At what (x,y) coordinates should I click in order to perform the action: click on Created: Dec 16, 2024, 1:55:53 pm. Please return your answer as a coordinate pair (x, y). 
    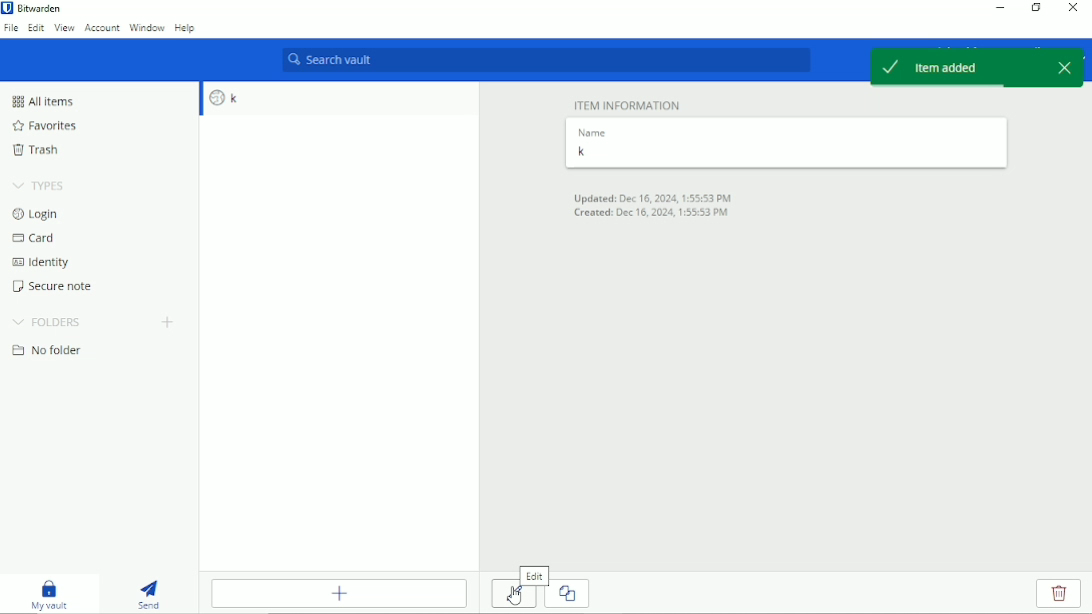
    Looking at the image, I should click on (655, 214).